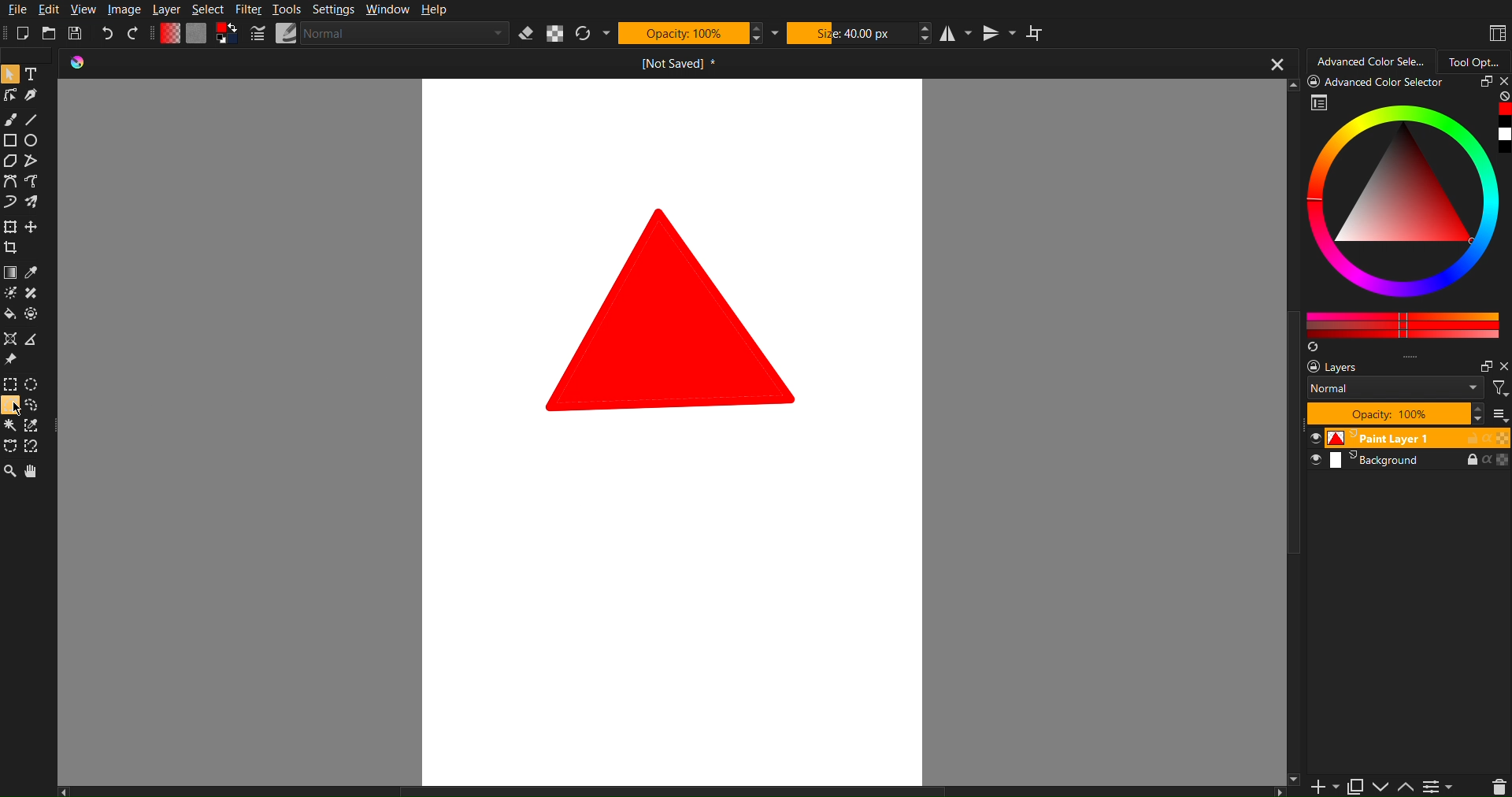 The width and height of the screenshot is (1512, 797). What do you see at coordinates (36, 406) in the screenshot?
I see `Selection freeshape` at bounding box center [36, 406].